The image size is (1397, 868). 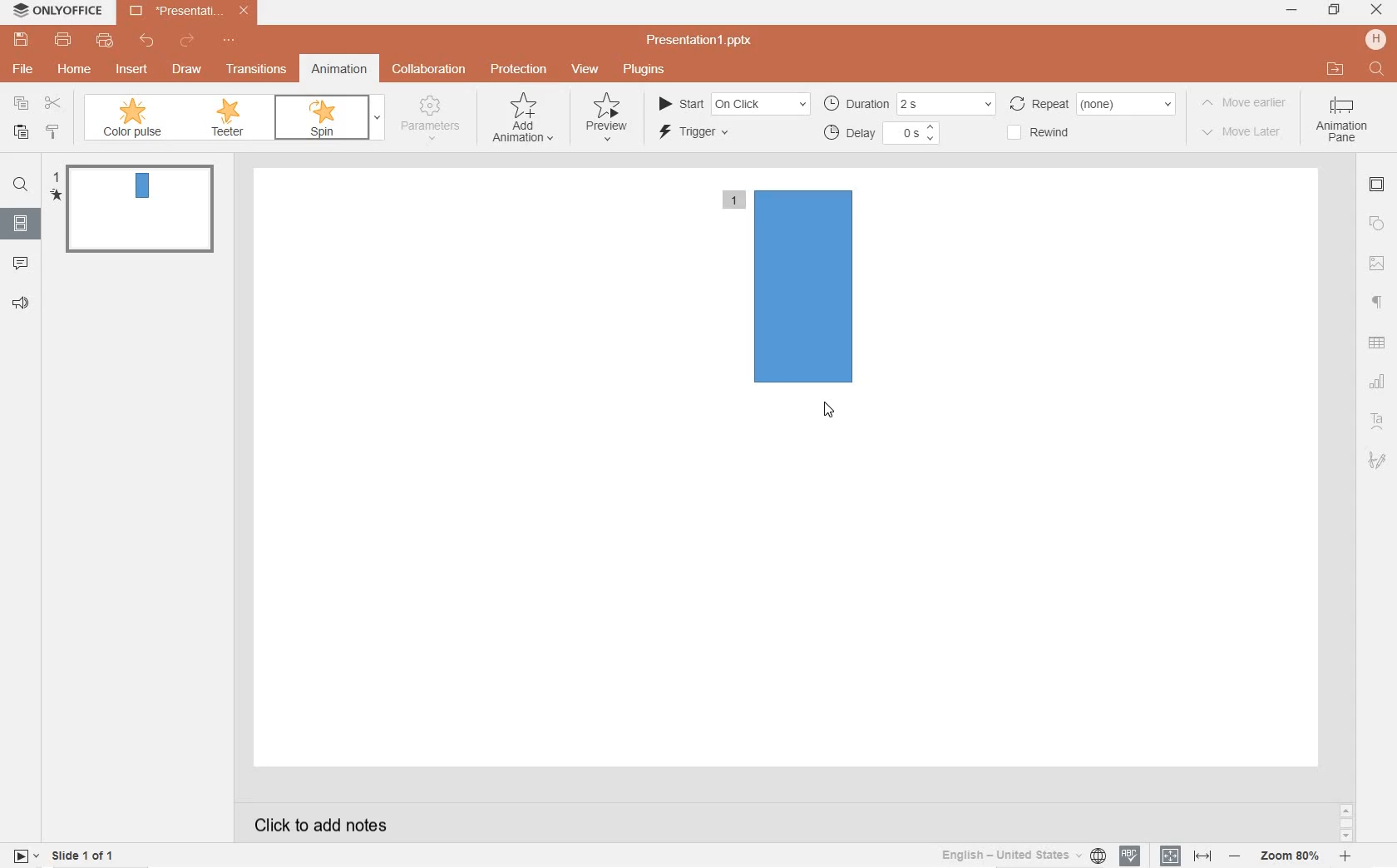 I want to click on slides, so click(x=20, y=220).